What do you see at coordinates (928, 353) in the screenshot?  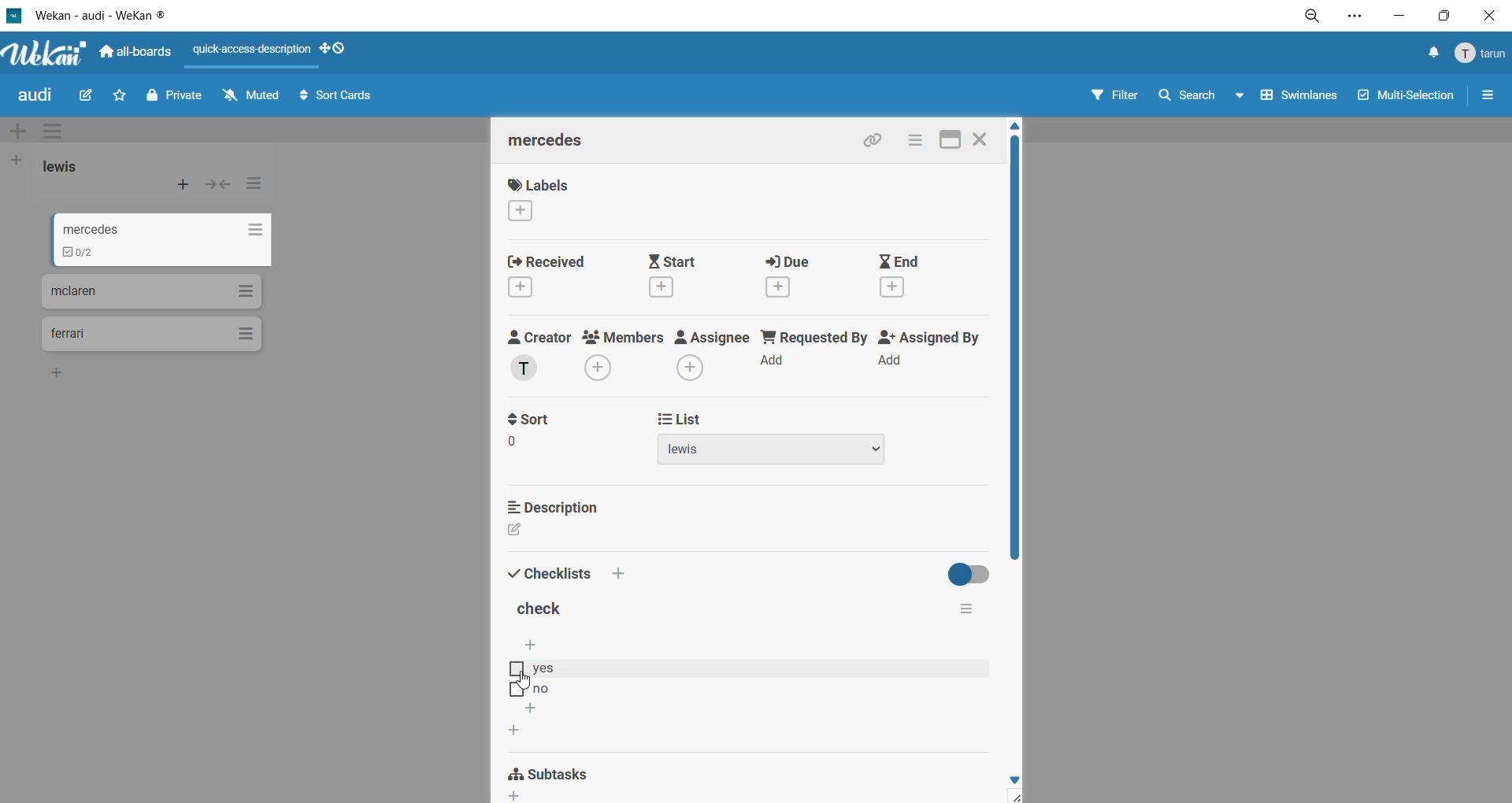 I see `assigned by` at bounding box center [928, 353].